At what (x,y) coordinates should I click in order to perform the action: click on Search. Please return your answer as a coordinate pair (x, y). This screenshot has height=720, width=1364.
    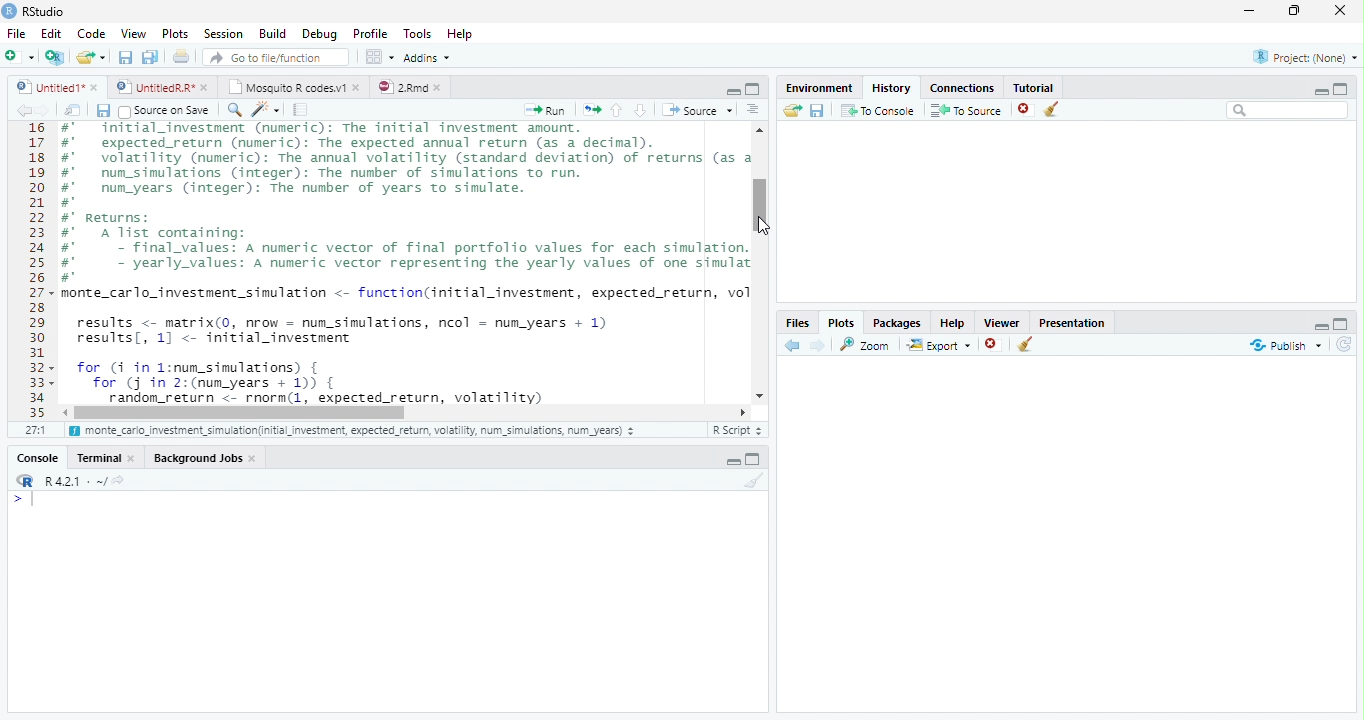
    Looking at the image, I should click on (1288, 110).